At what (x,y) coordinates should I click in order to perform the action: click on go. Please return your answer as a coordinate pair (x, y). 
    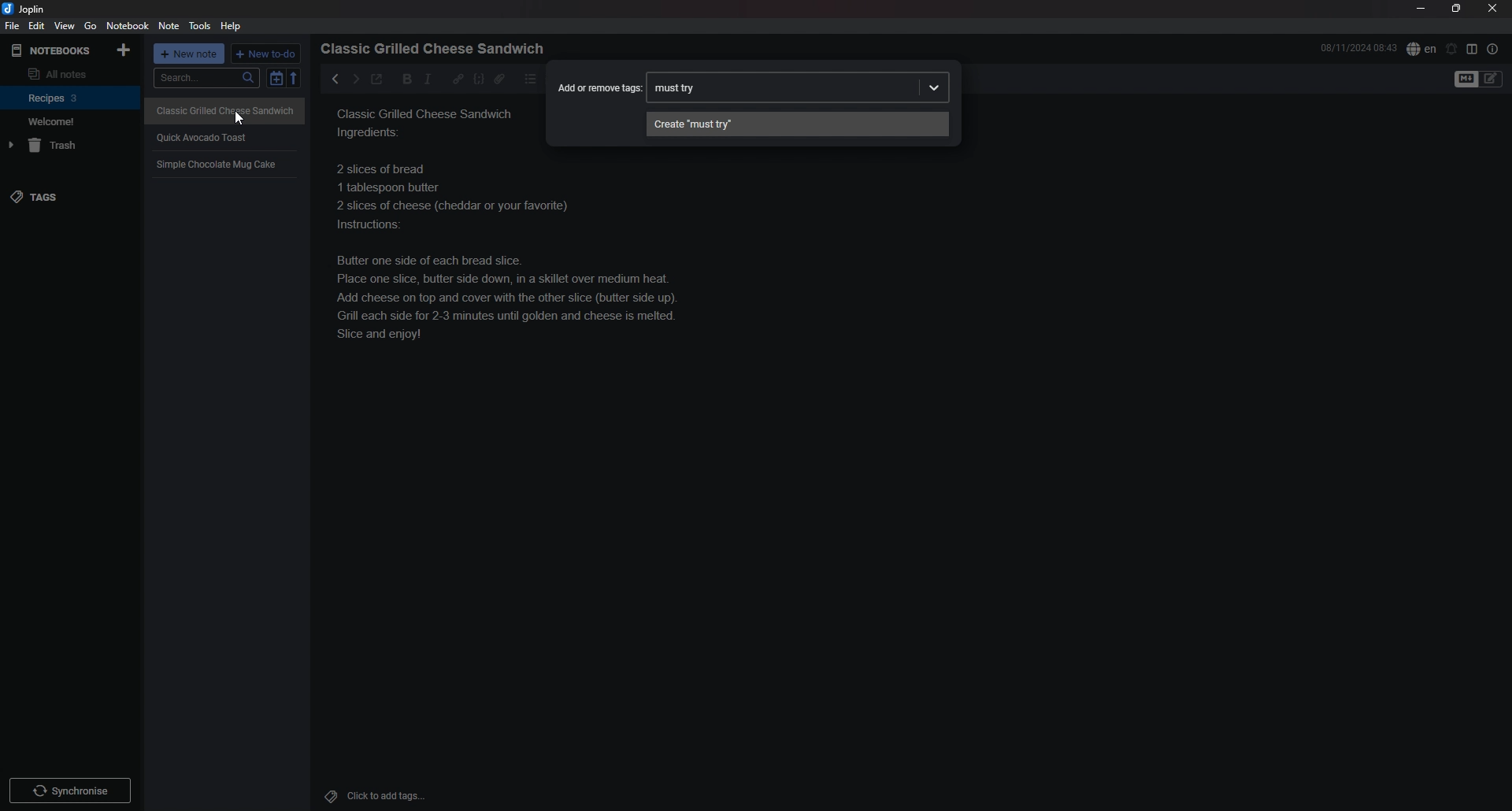
    Looking at the image, I should click on (91, 25).